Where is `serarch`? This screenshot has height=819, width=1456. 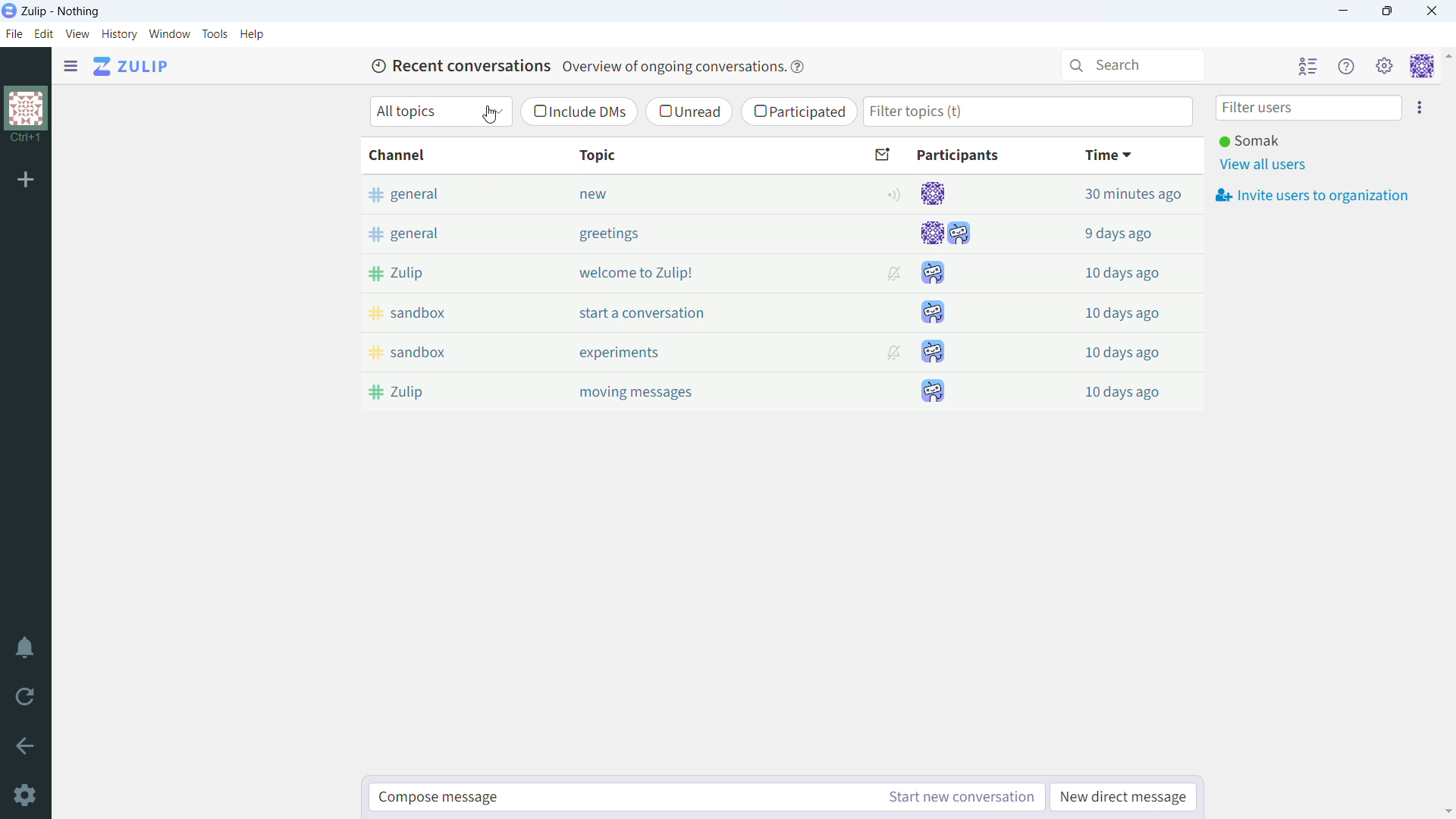 serarch is located at coordinates (1132, 65).